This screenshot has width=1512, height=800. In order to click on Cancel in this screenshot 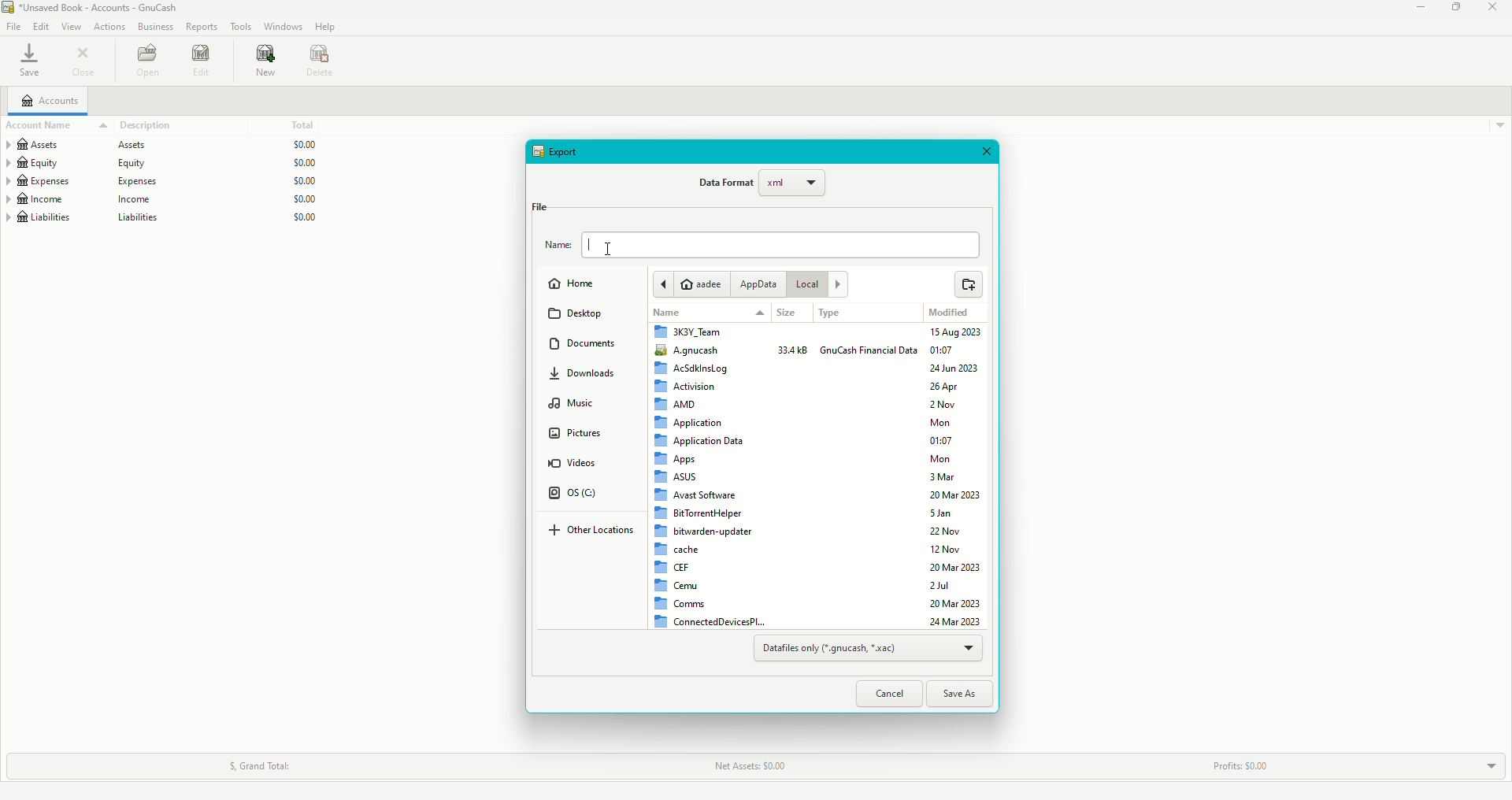, I will do `click(888, 694)`.